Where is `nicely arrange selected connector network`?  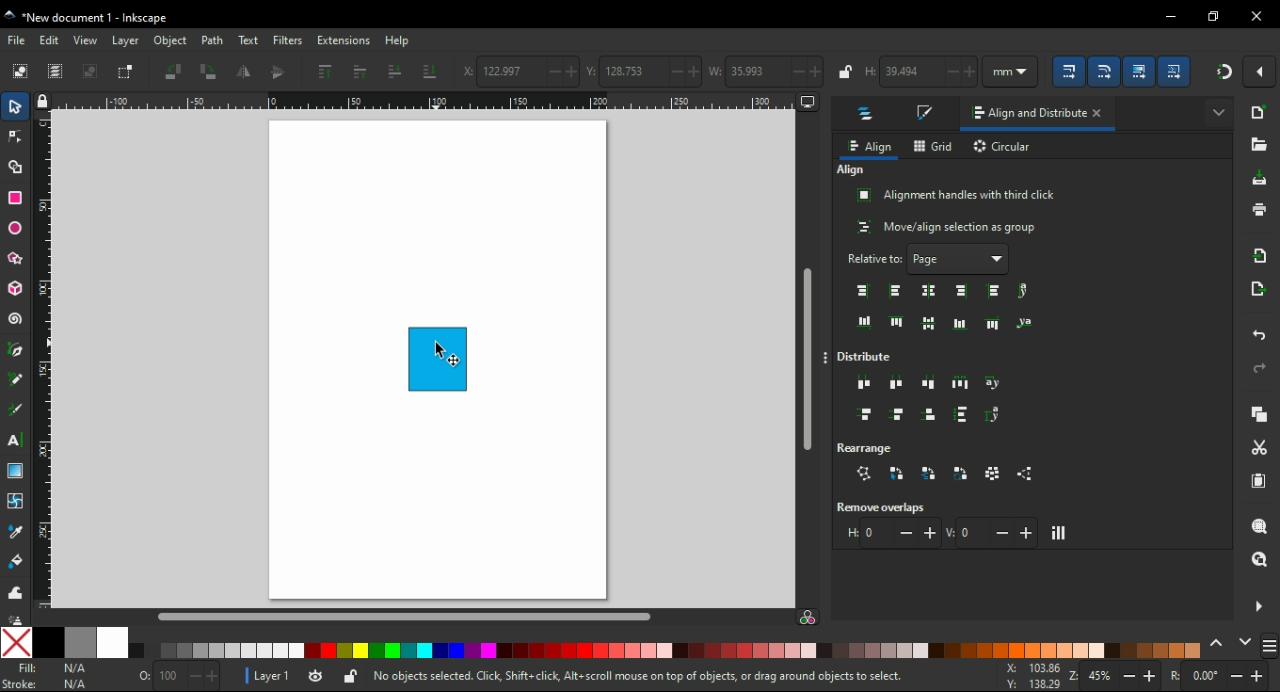 nicely arrange selected connector network is located at coordinates (866, 473).